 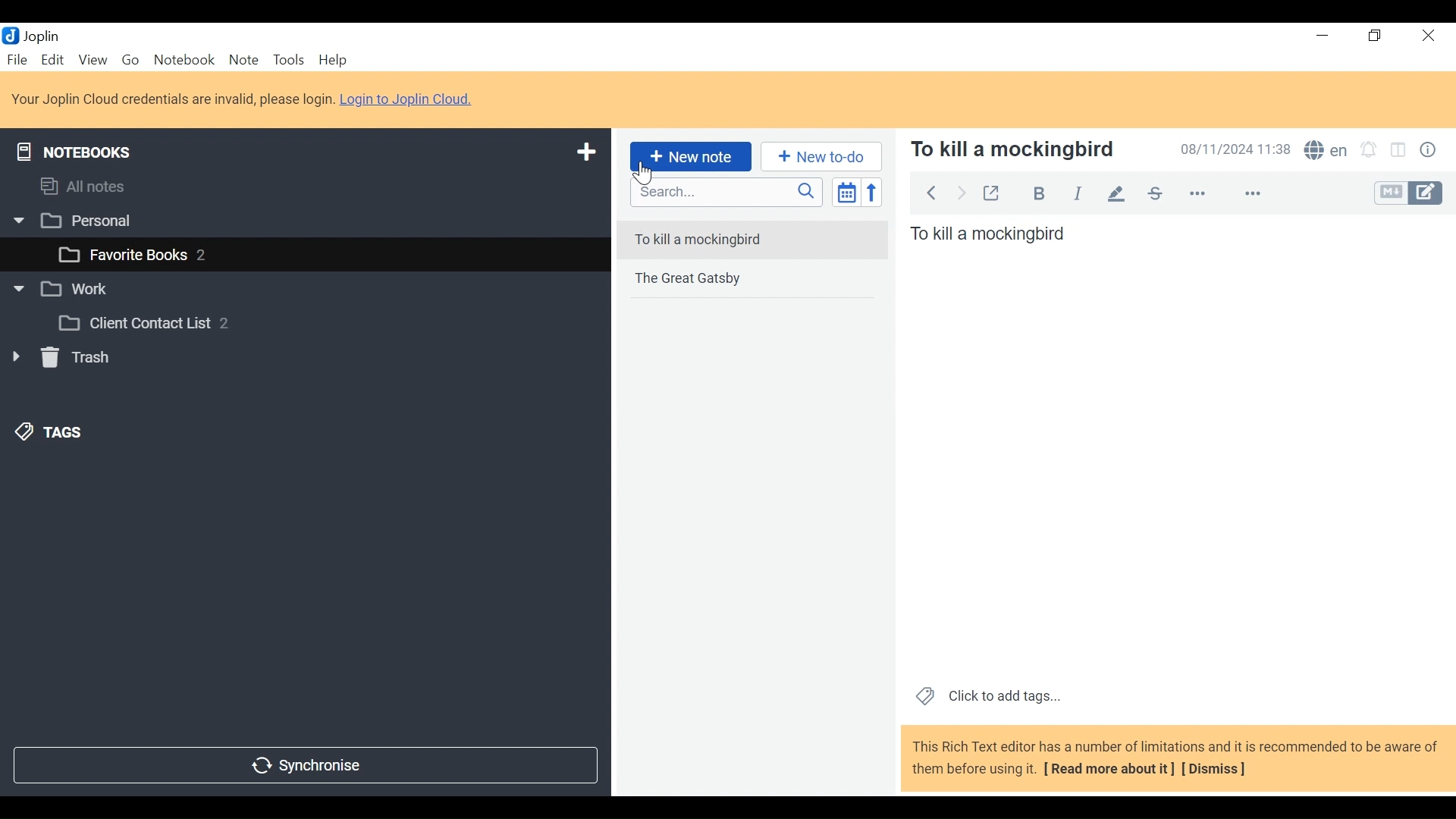 I want to click on File, so click(x=17, y=58).